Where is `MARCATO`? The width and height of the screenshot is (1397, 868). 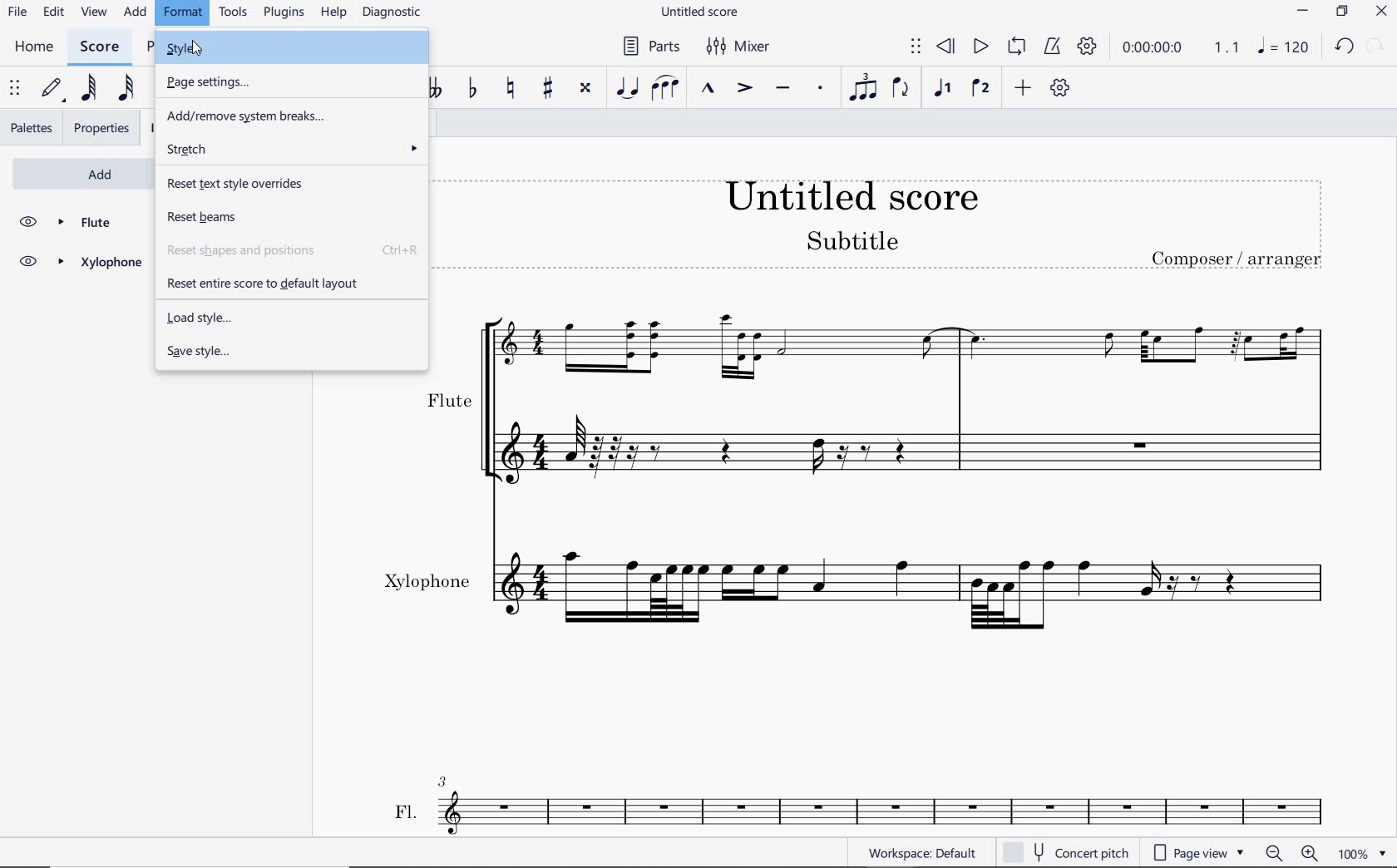
MARCATO is located at coordinates (708, 88).